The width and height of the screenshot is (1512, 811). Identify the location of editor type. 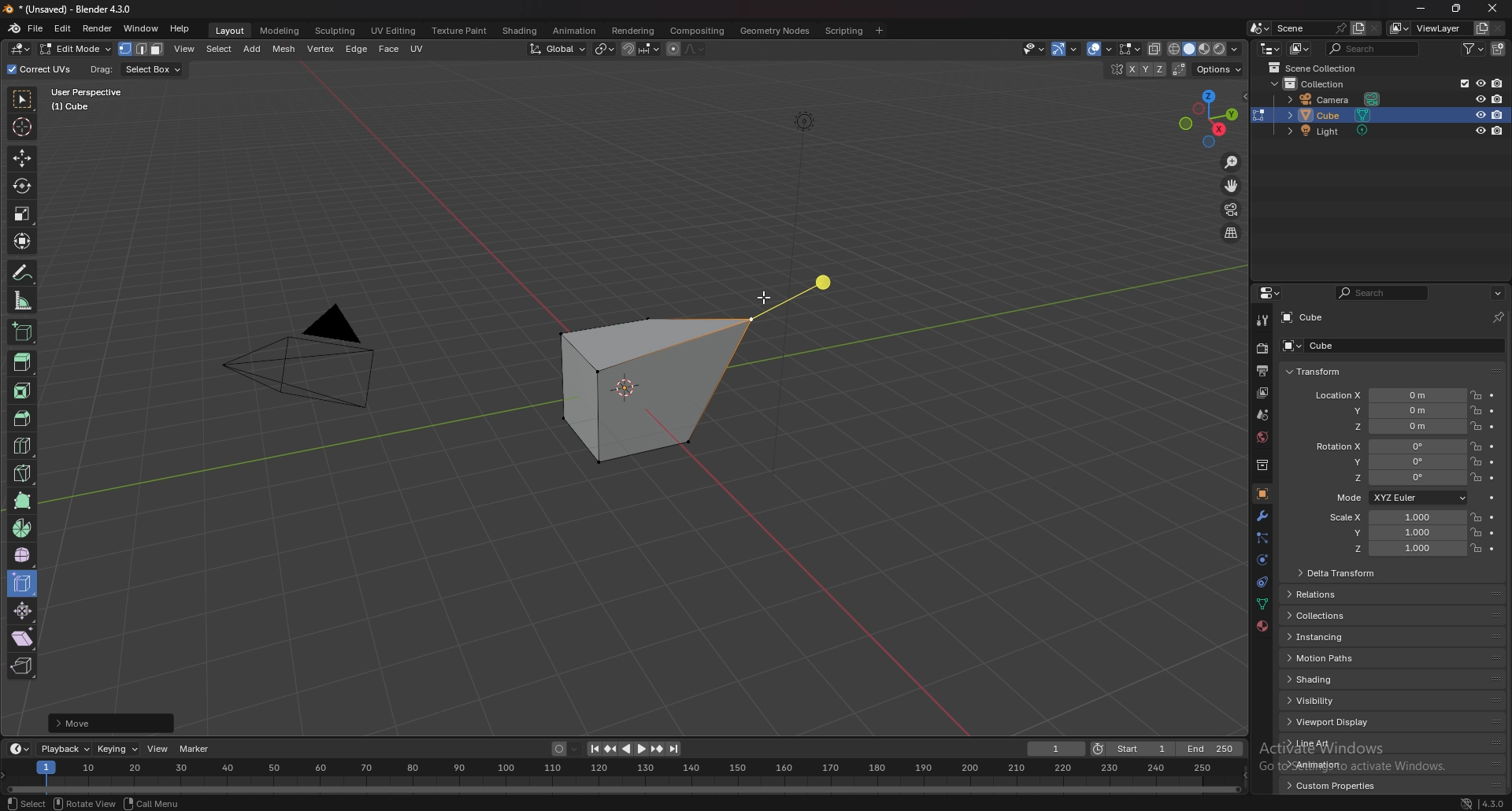
(20, 49).